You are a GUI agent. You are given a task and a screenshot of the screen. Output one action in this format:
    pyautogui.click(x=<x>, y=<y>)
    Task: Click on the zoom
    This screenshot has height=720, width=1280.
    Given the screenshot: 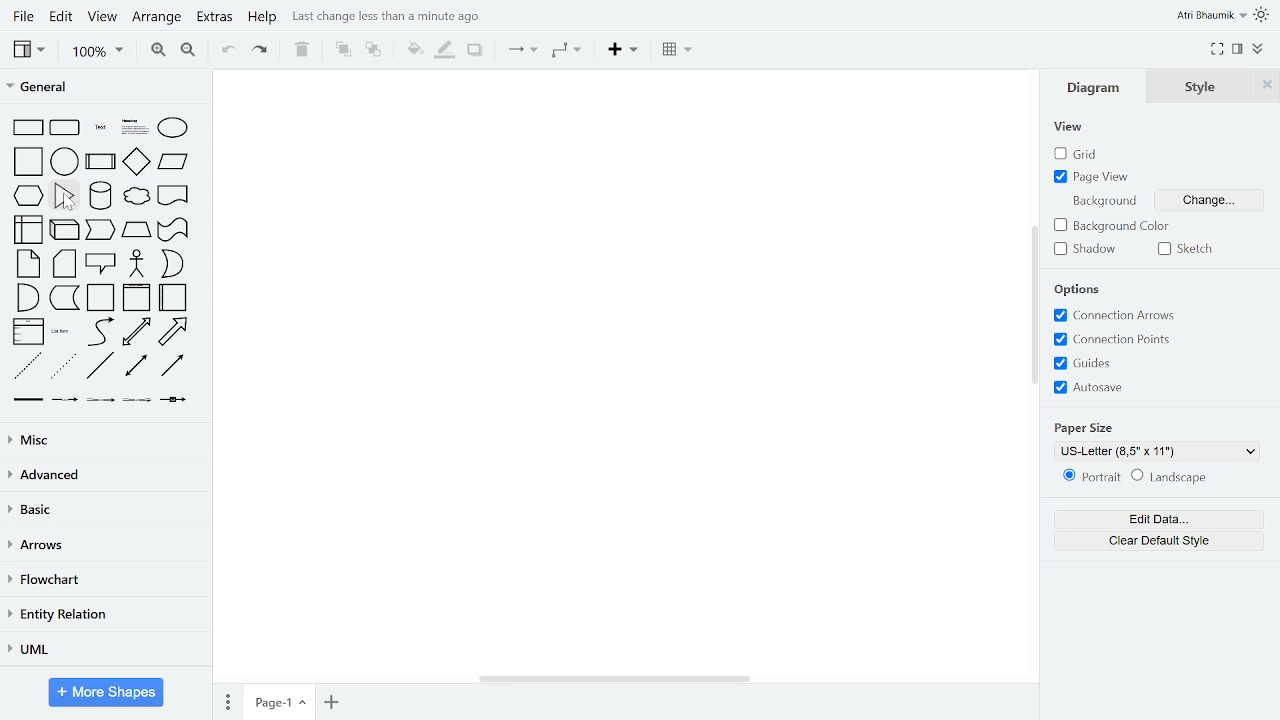 What is the action you would take?
    pyautogui.click(x=97, y=52)
    